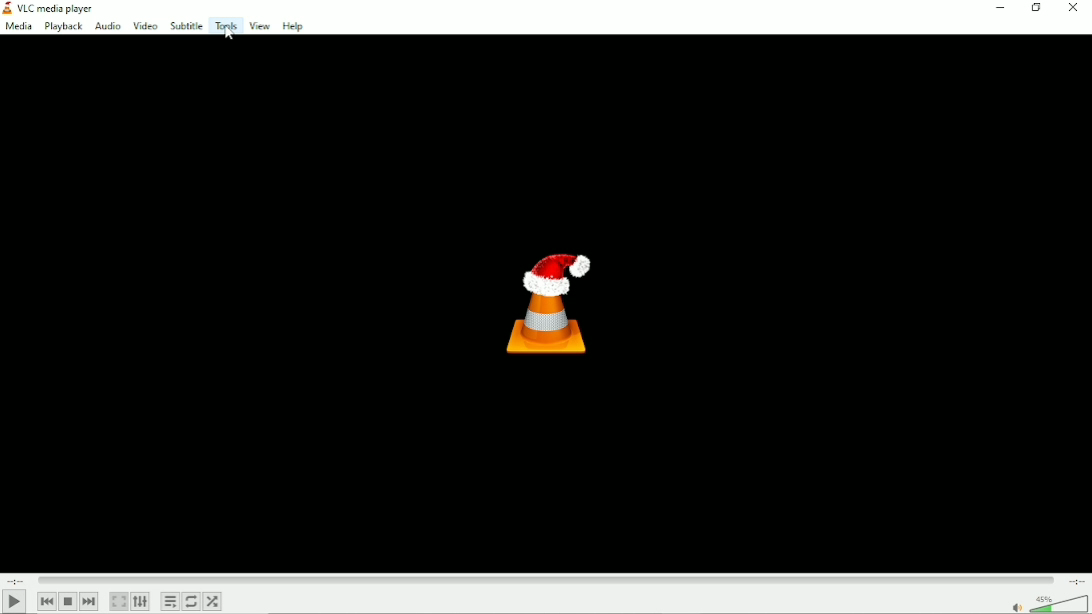 The image size is (1092, 614). I want to click on Next, so click(89, 601).